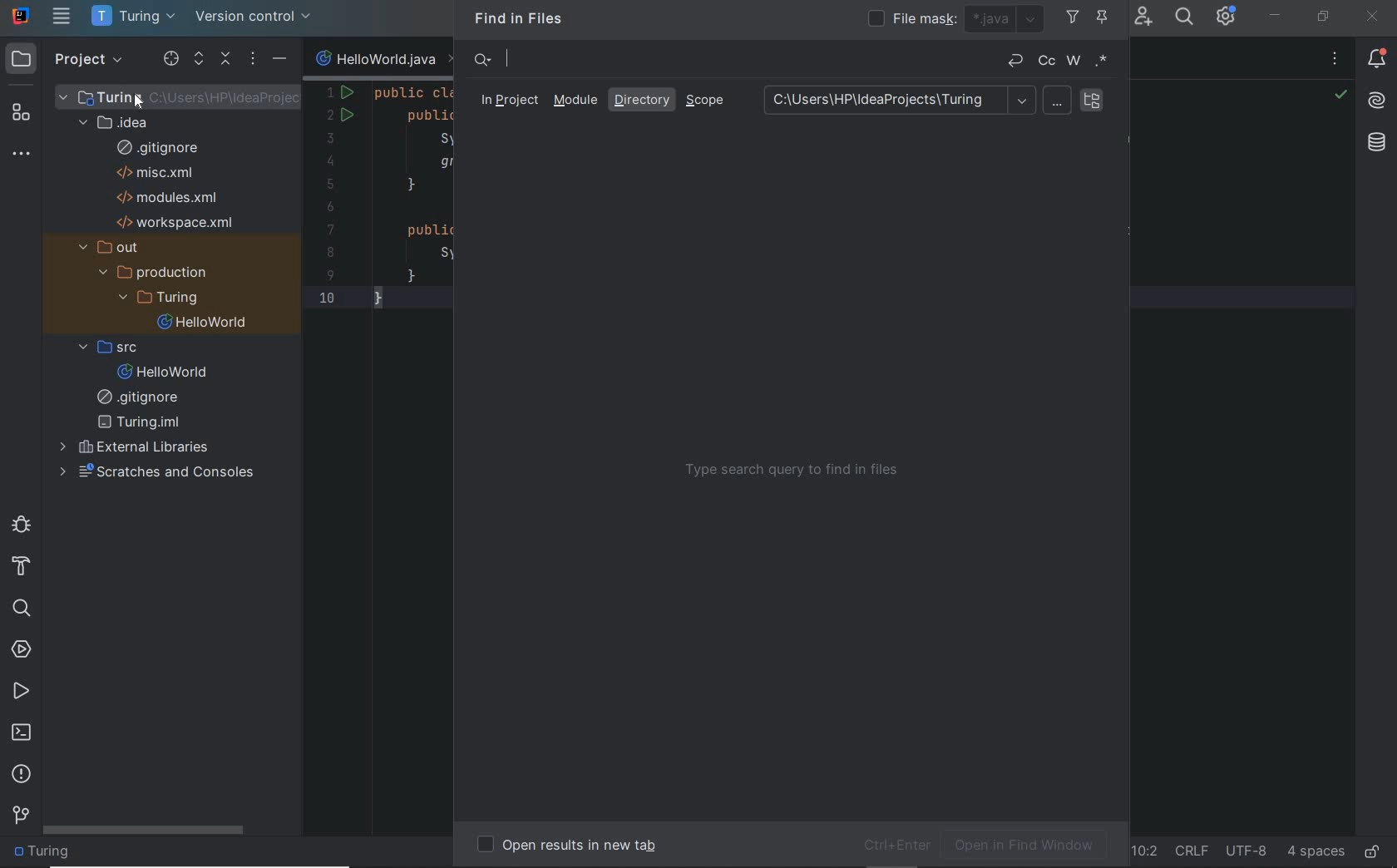 This screenshot has height=868, width=1397. Describe the element at coordinates (894, 846) in the screenshot. I see `ctrl+Enter` at that location.